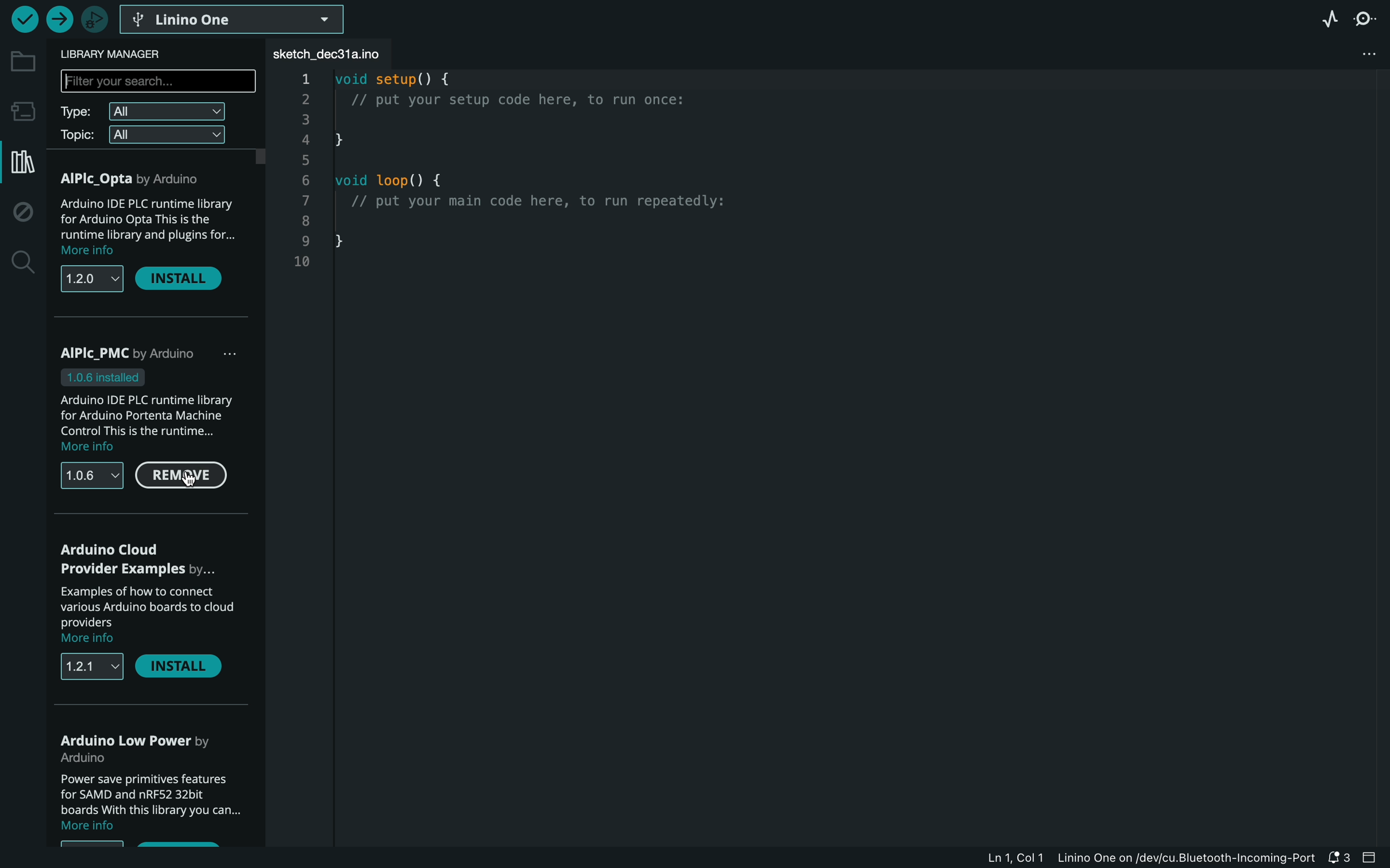 The width and height of the screenshot is (1390, 868). Describe the element at coordinates (149, 613) in the screenshot. I see `description` at that location.